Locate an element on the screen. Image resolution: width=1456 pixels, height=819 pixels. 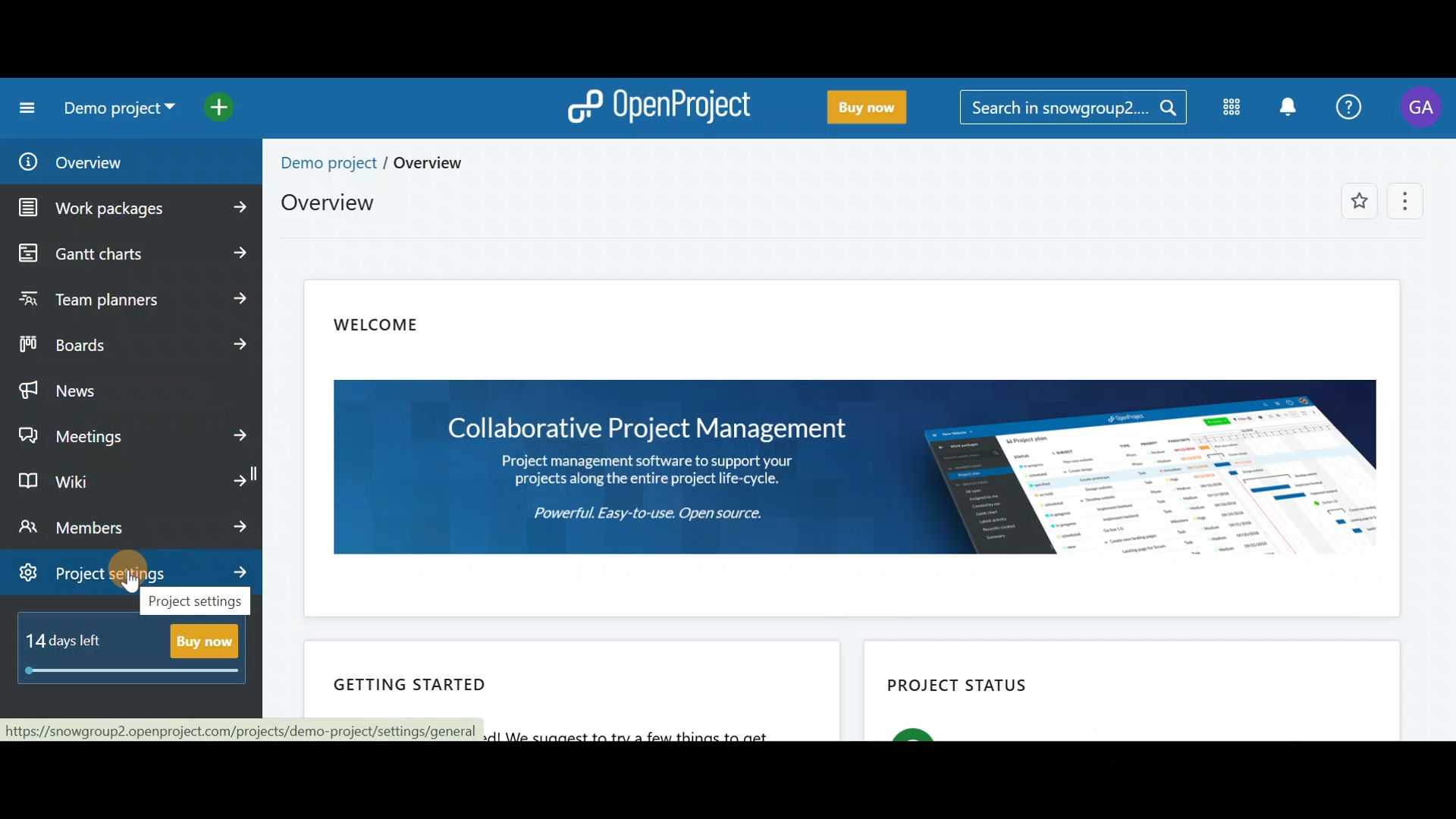
Meetings is located at coordinates (133, 434).